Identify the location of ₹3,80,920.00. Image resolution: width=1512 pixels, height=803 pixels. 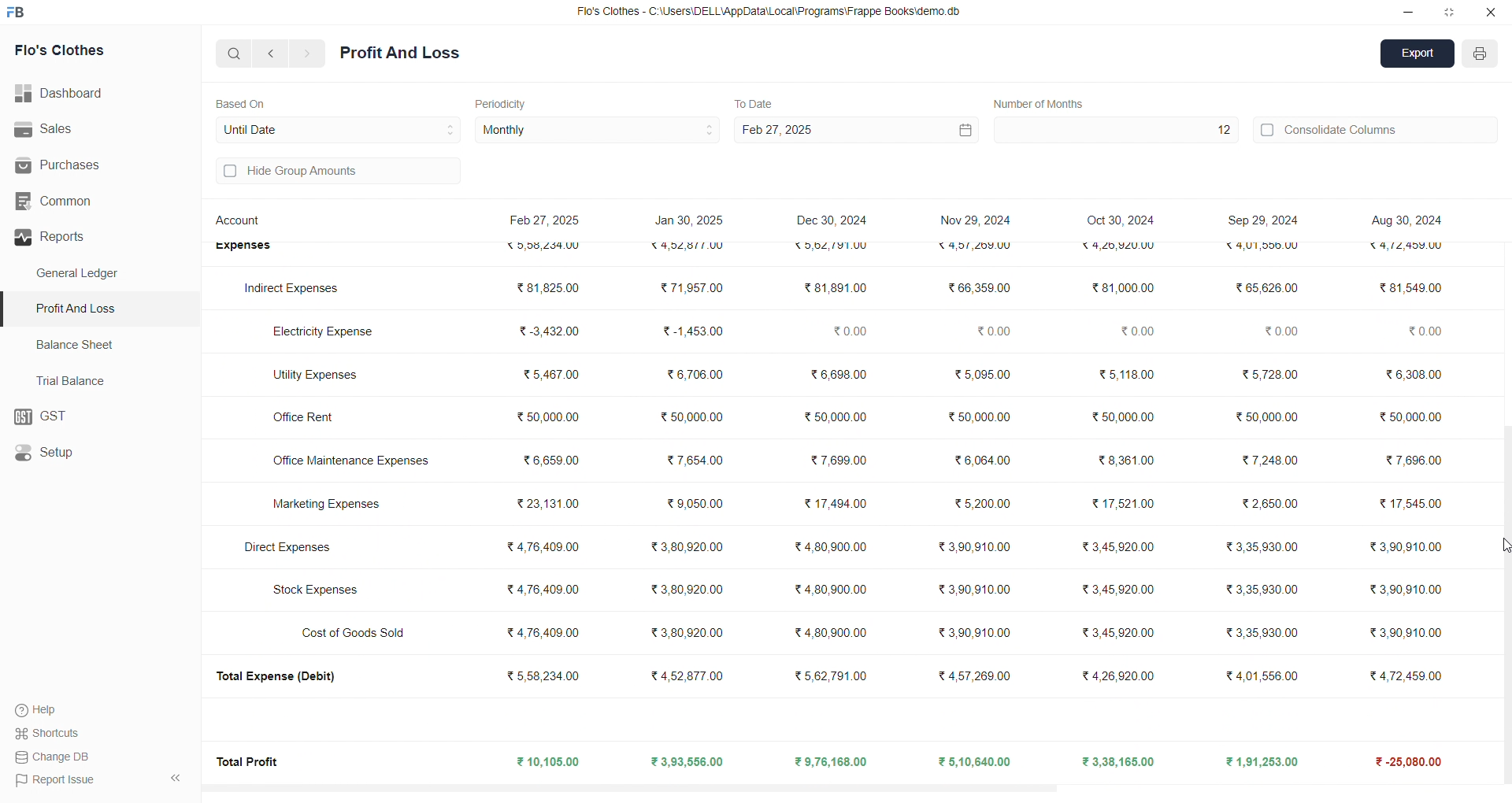
(691, 631).